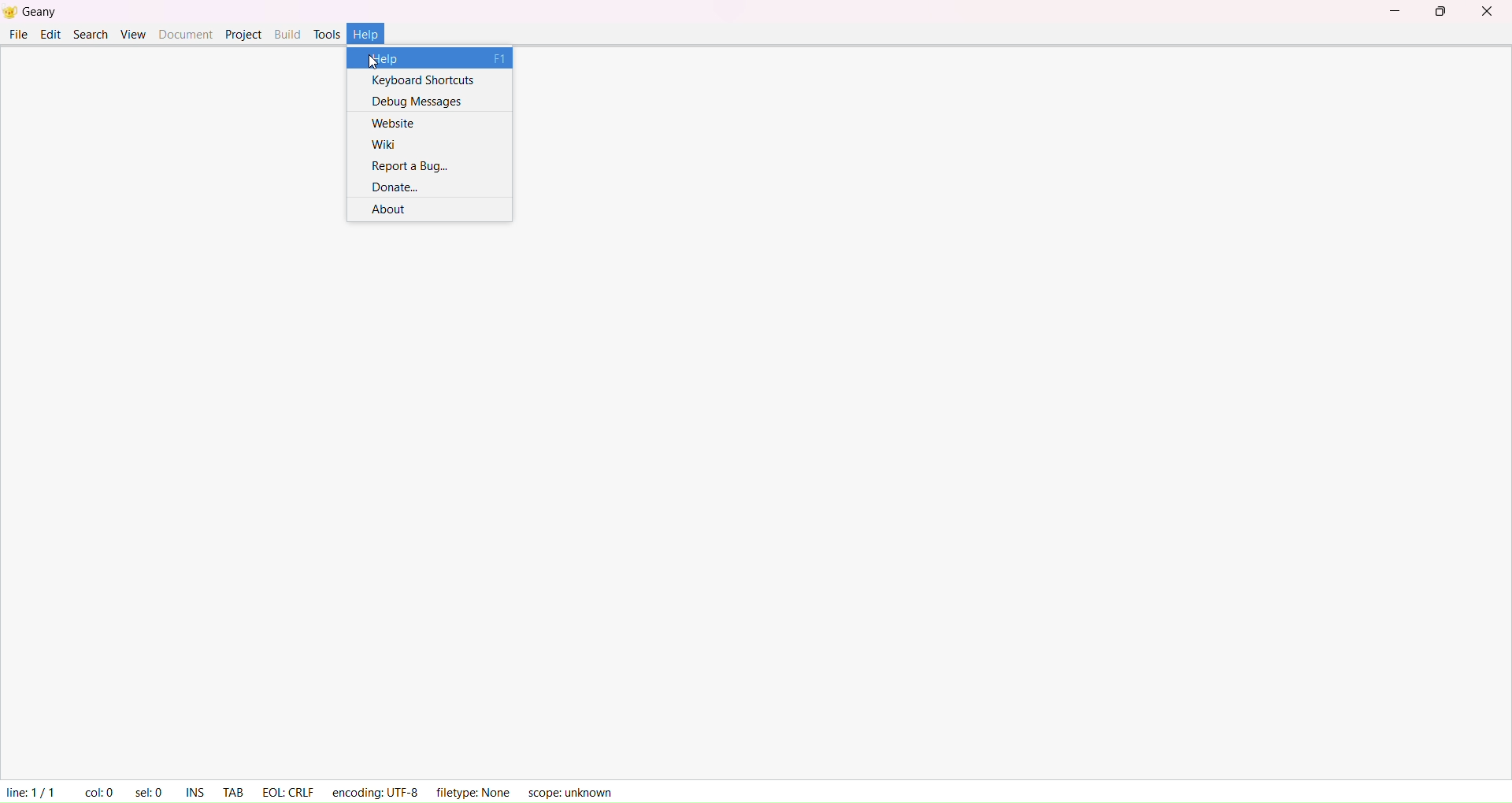 This screenshot has width=1512, height=803. I want to click on logo, so click(10, 13).